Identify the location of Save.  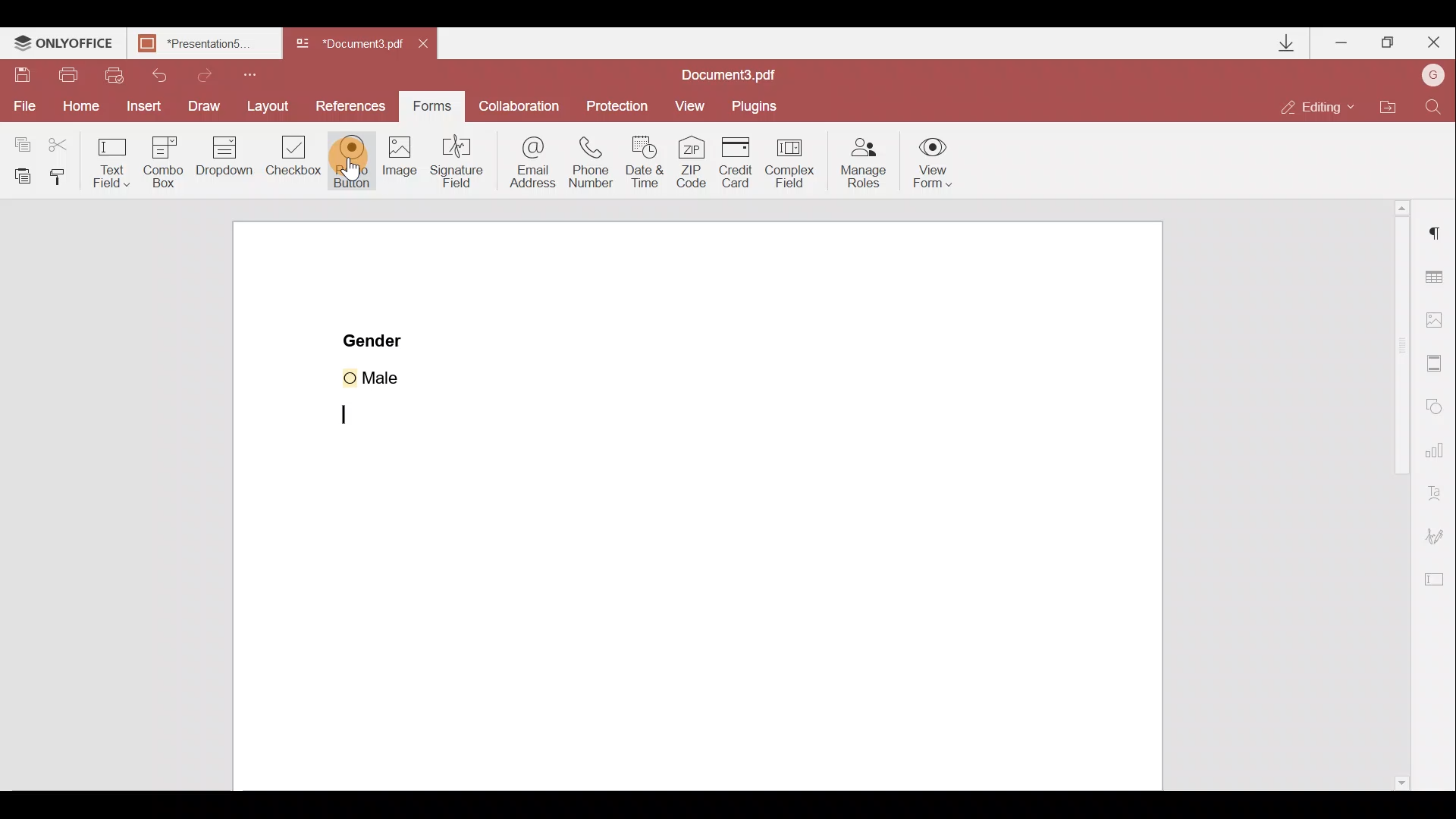
(24, 76).